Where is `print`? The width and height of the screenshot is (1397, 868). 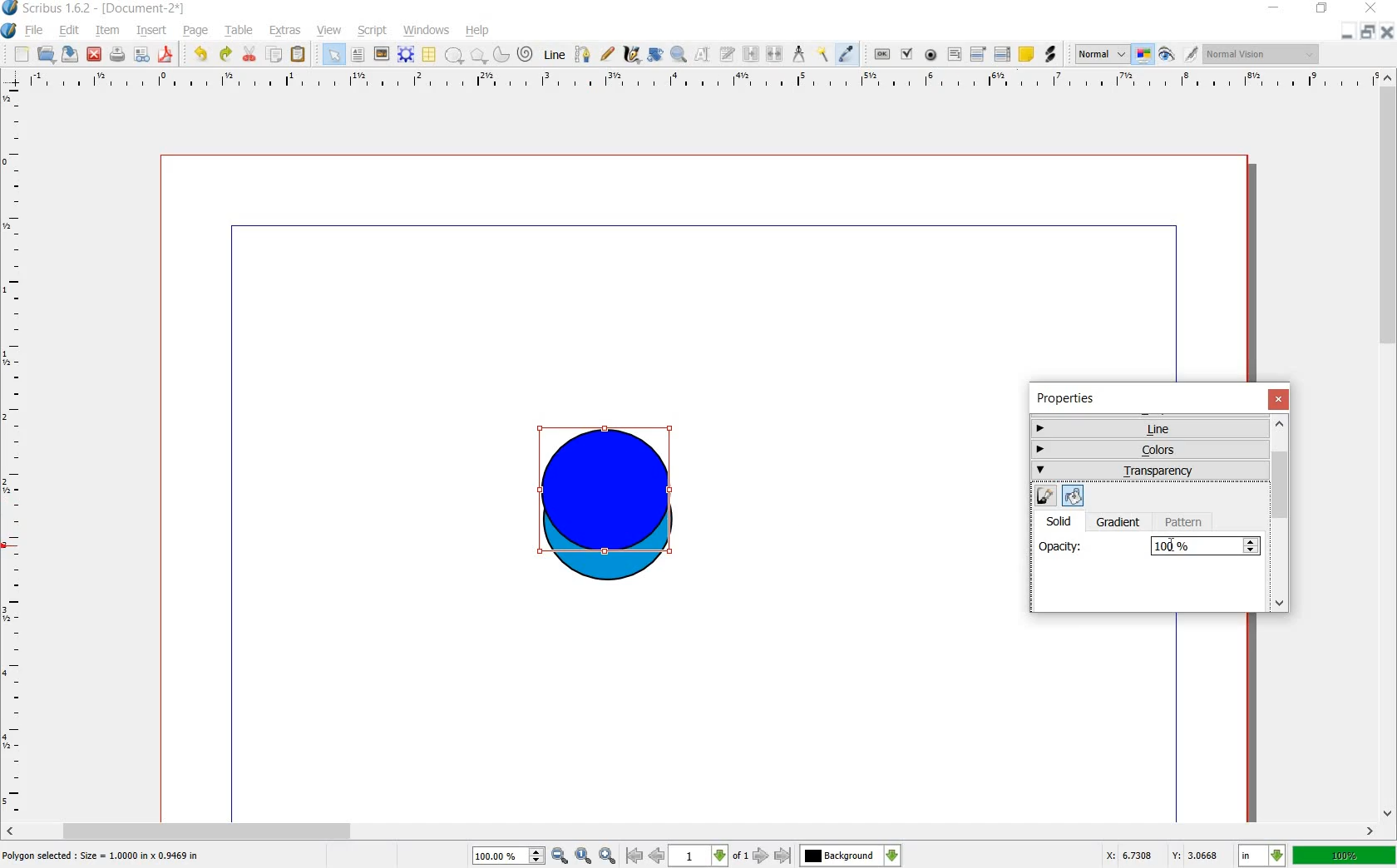 print is located at coordinates (118, 55).